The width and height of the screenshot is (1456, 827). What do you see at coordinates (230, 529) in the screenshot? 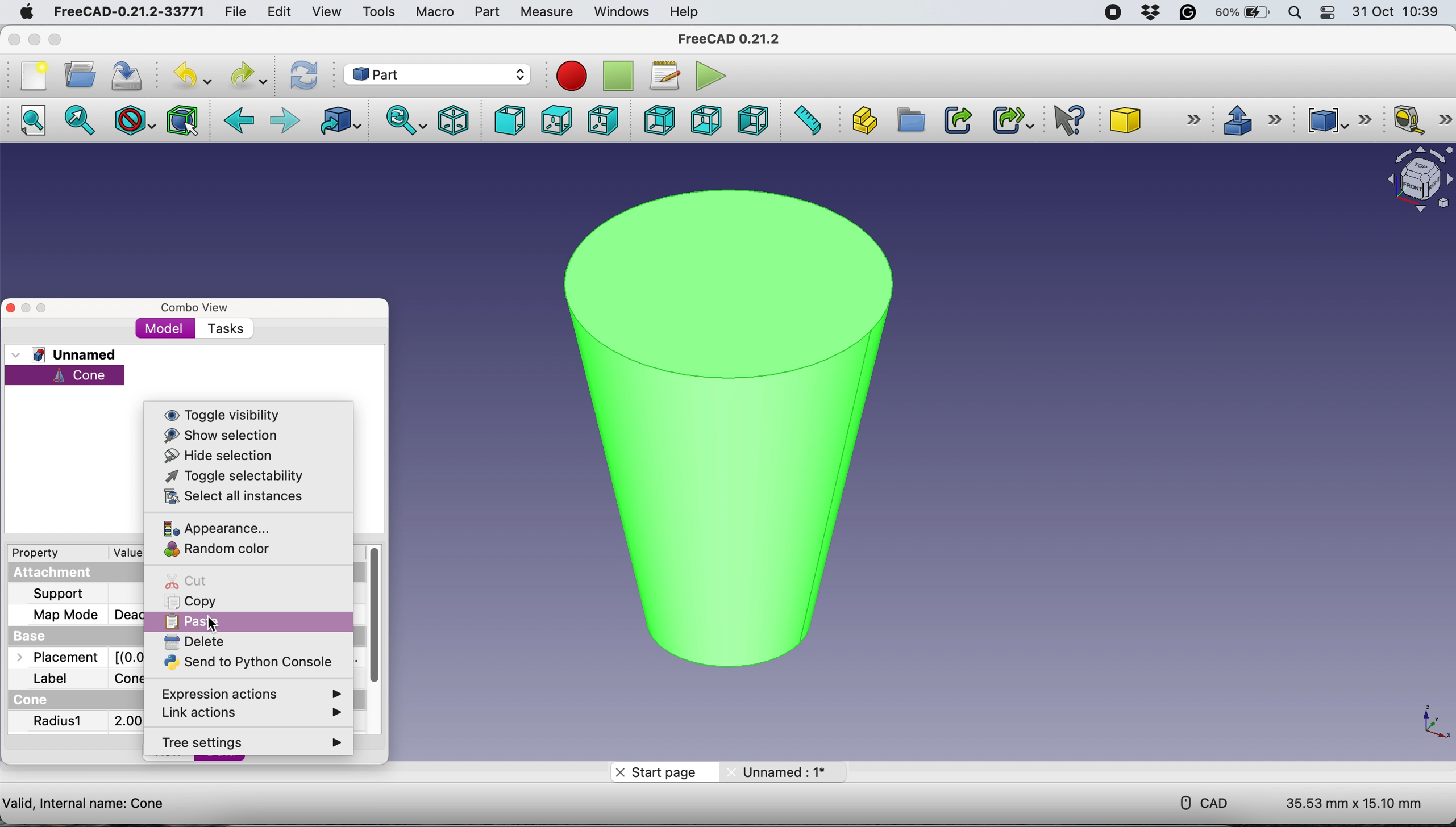
I see `appearance` at bounding box center [230, 529].